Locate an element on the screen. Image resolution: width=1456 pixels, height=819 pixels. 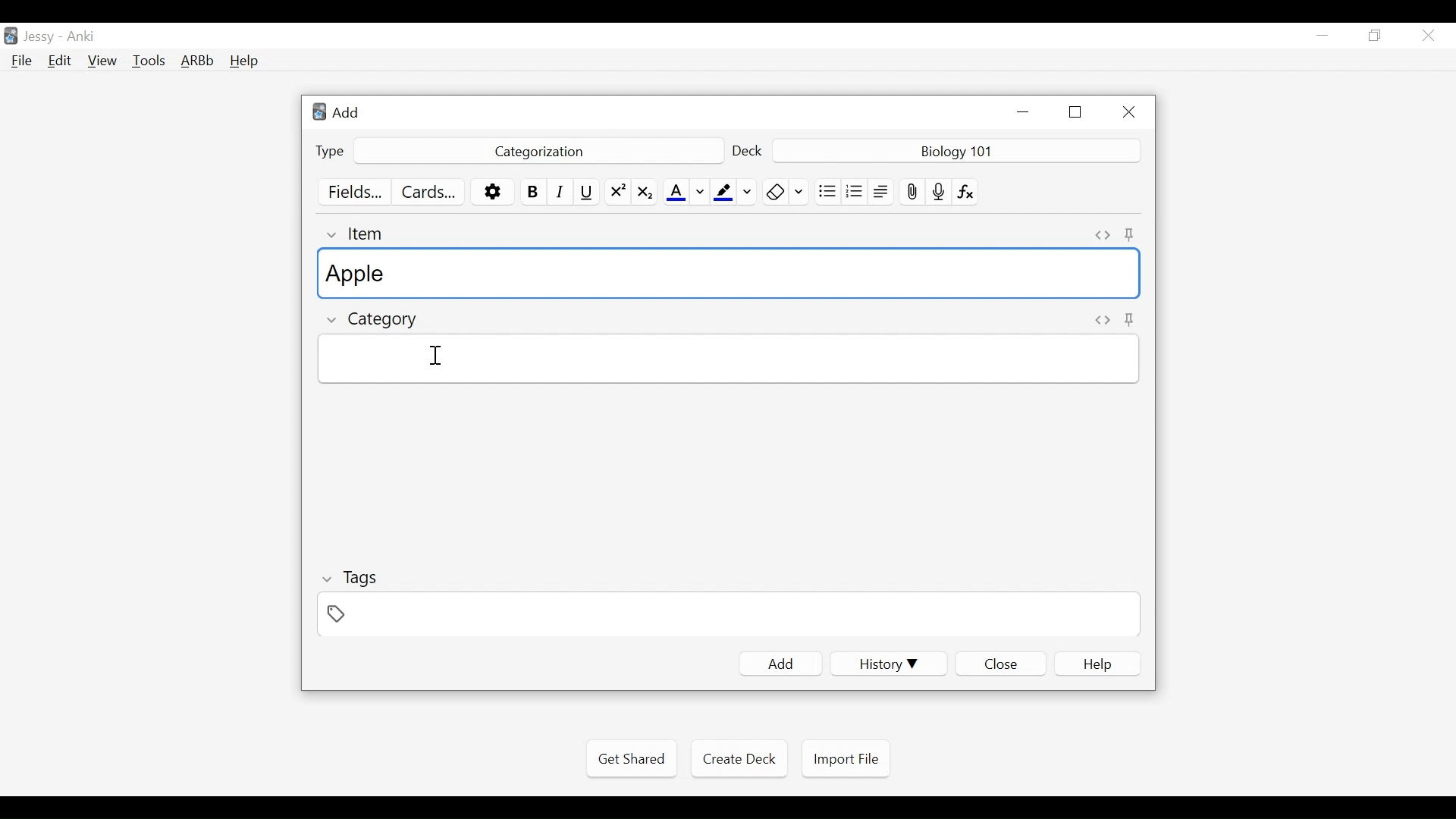
Category is located at coordinates (375, 322).